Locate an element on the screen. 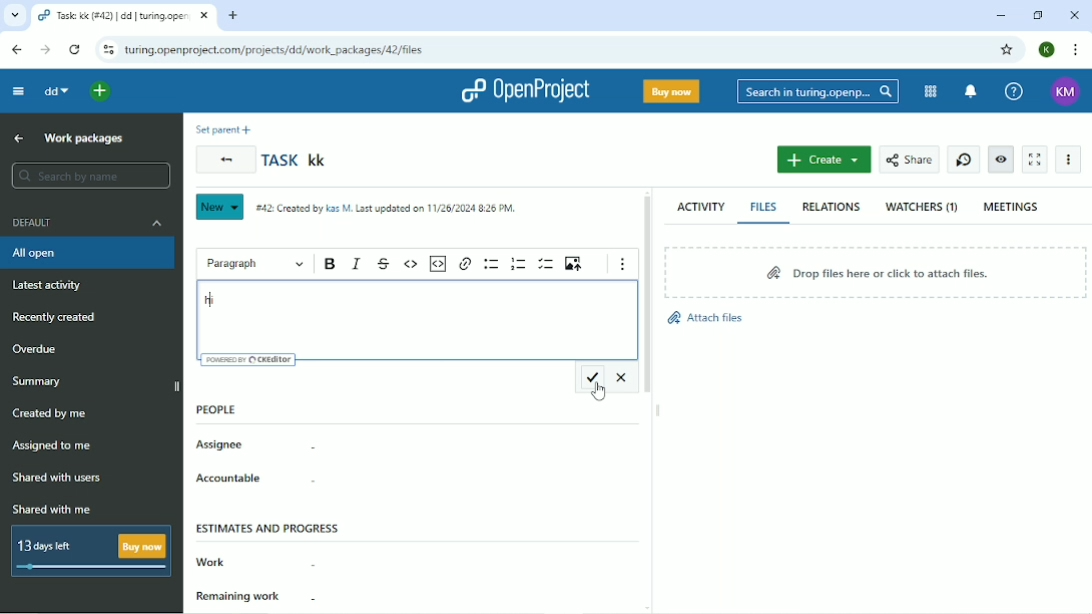 Image resolution: width=1092 pixels, height=614 pixels. Save is located at coordinates (591, 377).